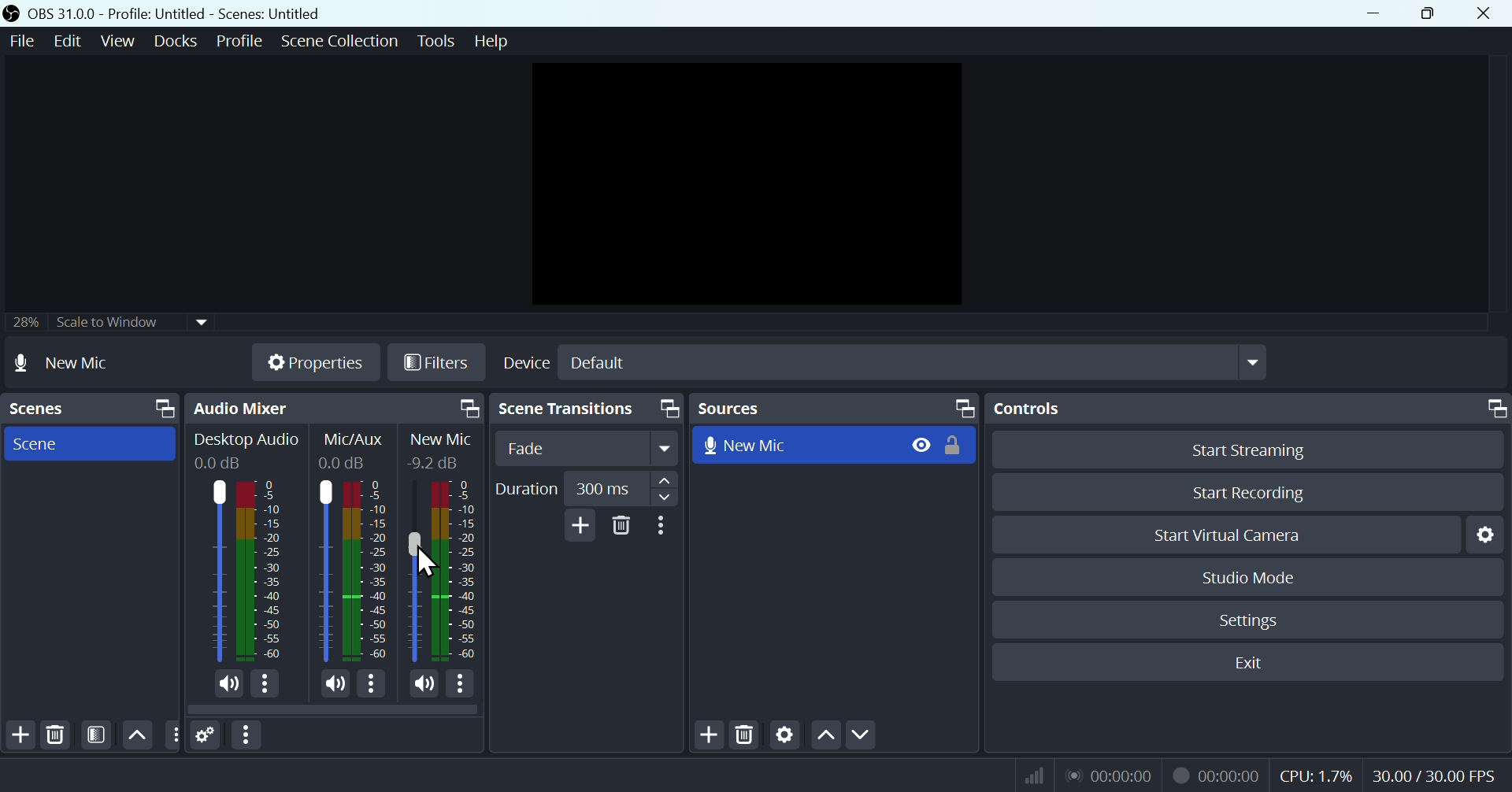  What do you see at coordinates (957, 445) in the screenshot?
I see `(un)lock` at bounding box center [957, 445].